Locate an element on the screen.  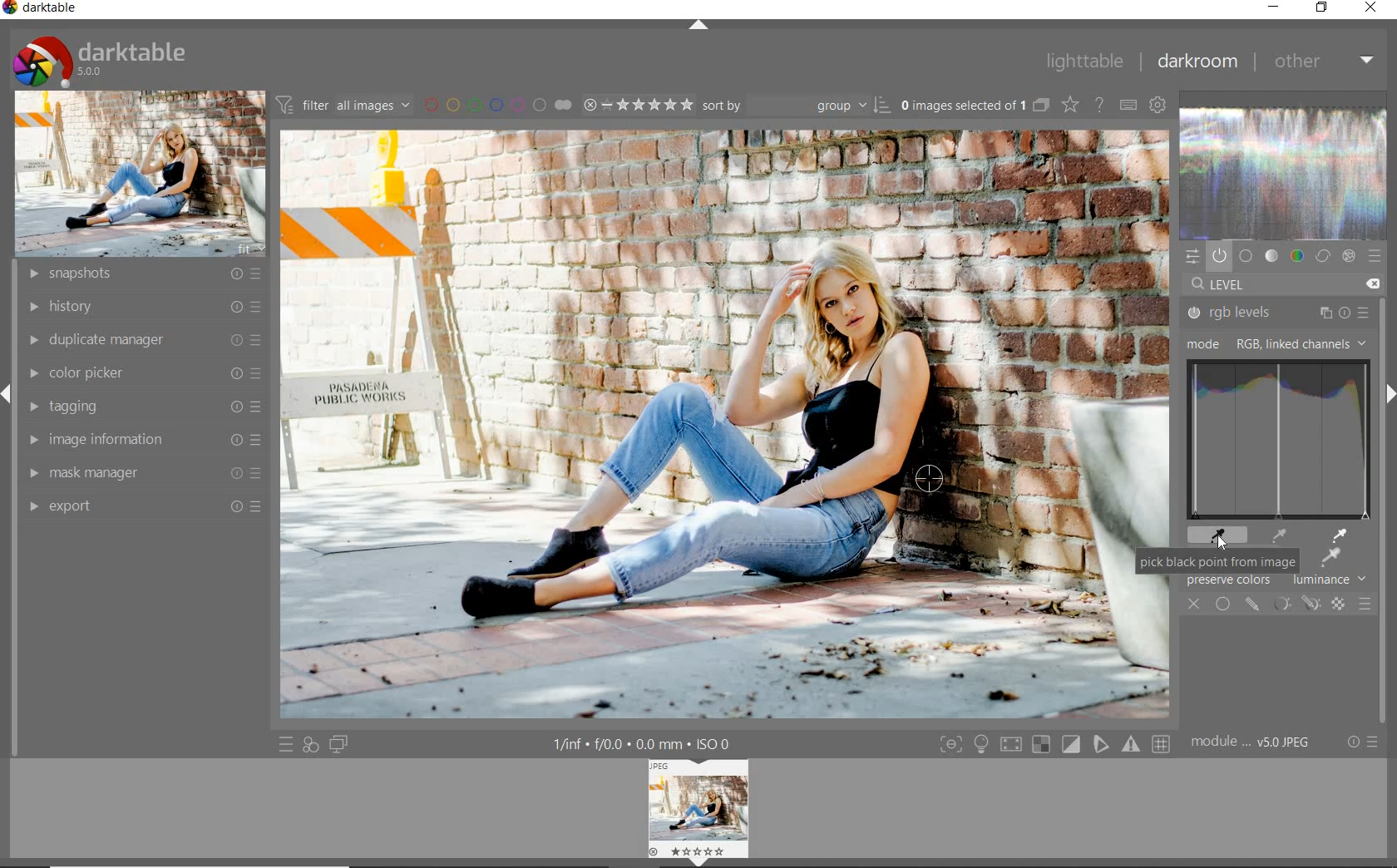
filter all images is located at coordinates (340, 104).